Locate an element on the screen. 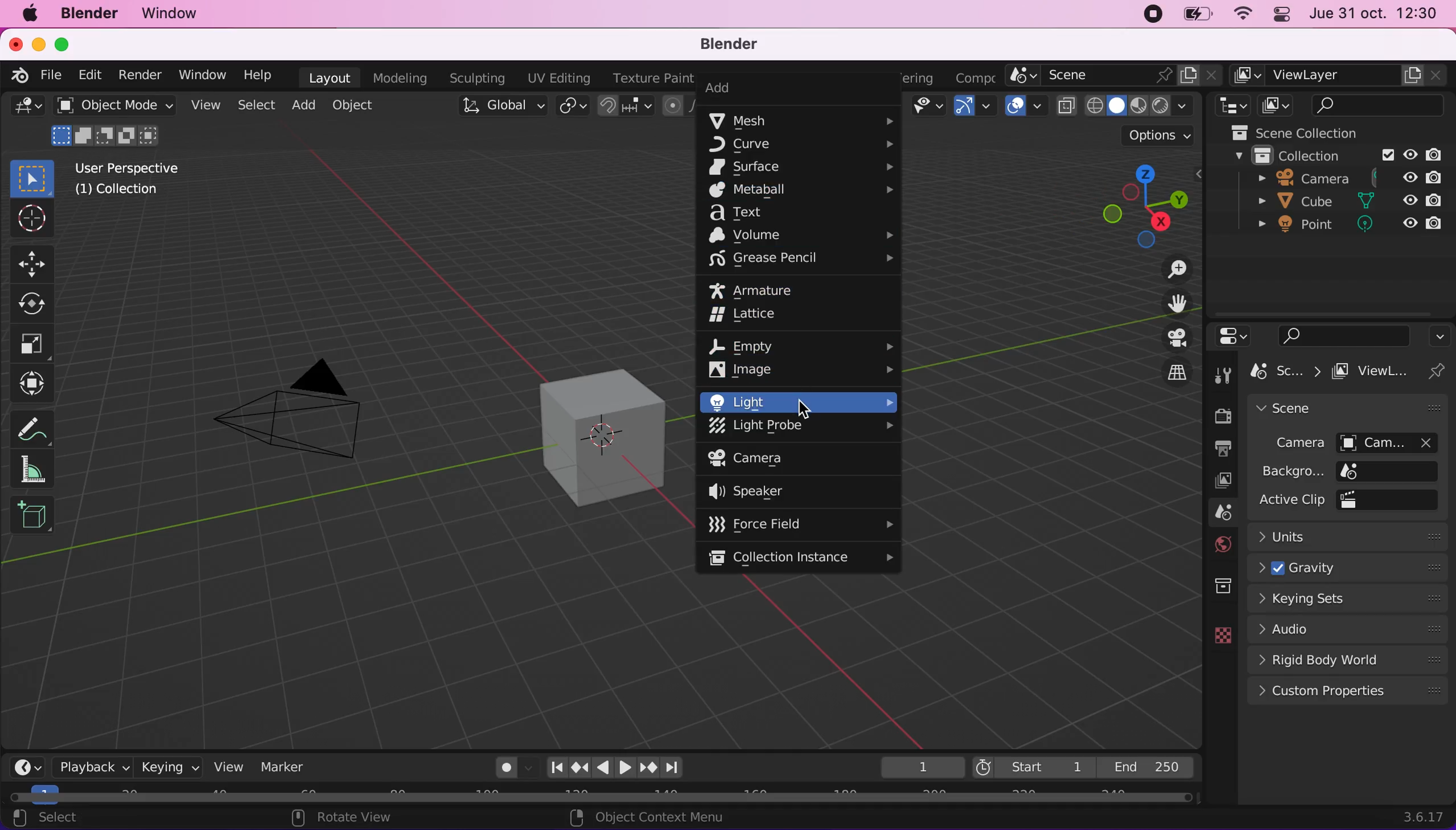 The image size is (1456, 830). add is located at coordinates (308, 107).